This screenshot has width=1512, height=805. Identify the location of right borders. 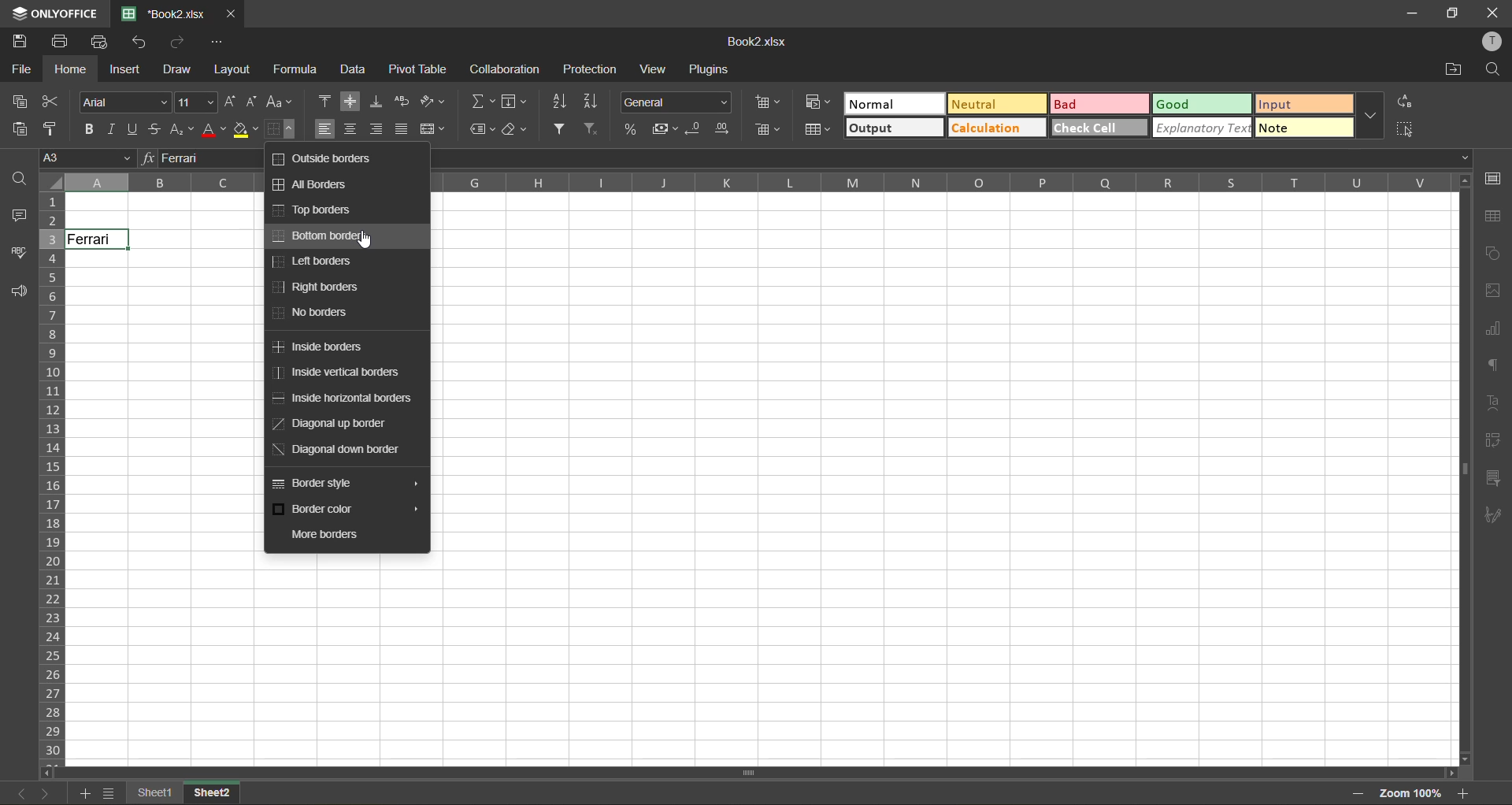
(325, 288).